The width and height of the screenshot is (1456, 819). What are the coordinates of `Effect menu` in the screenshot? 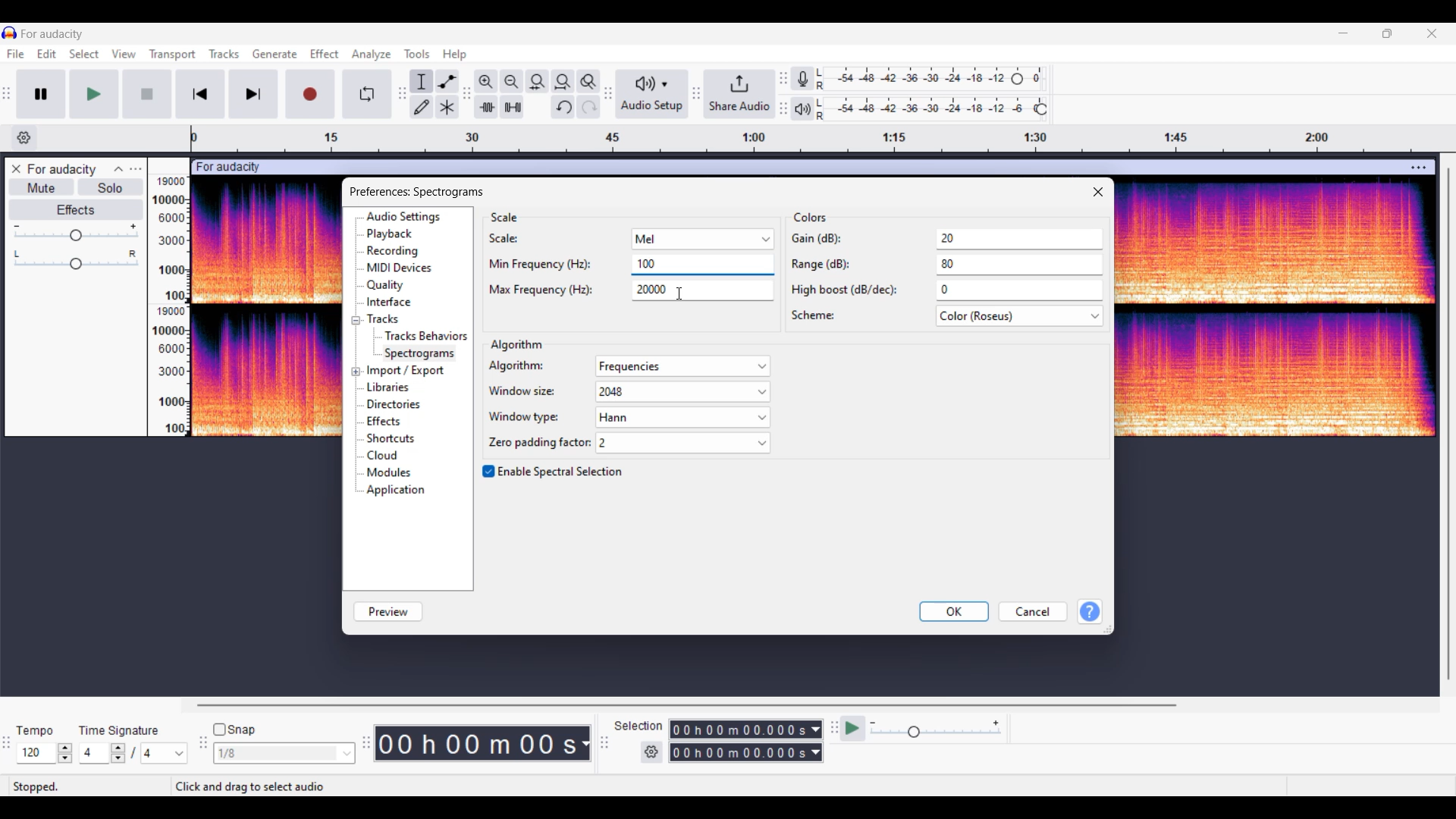 It's located at (325, 54).